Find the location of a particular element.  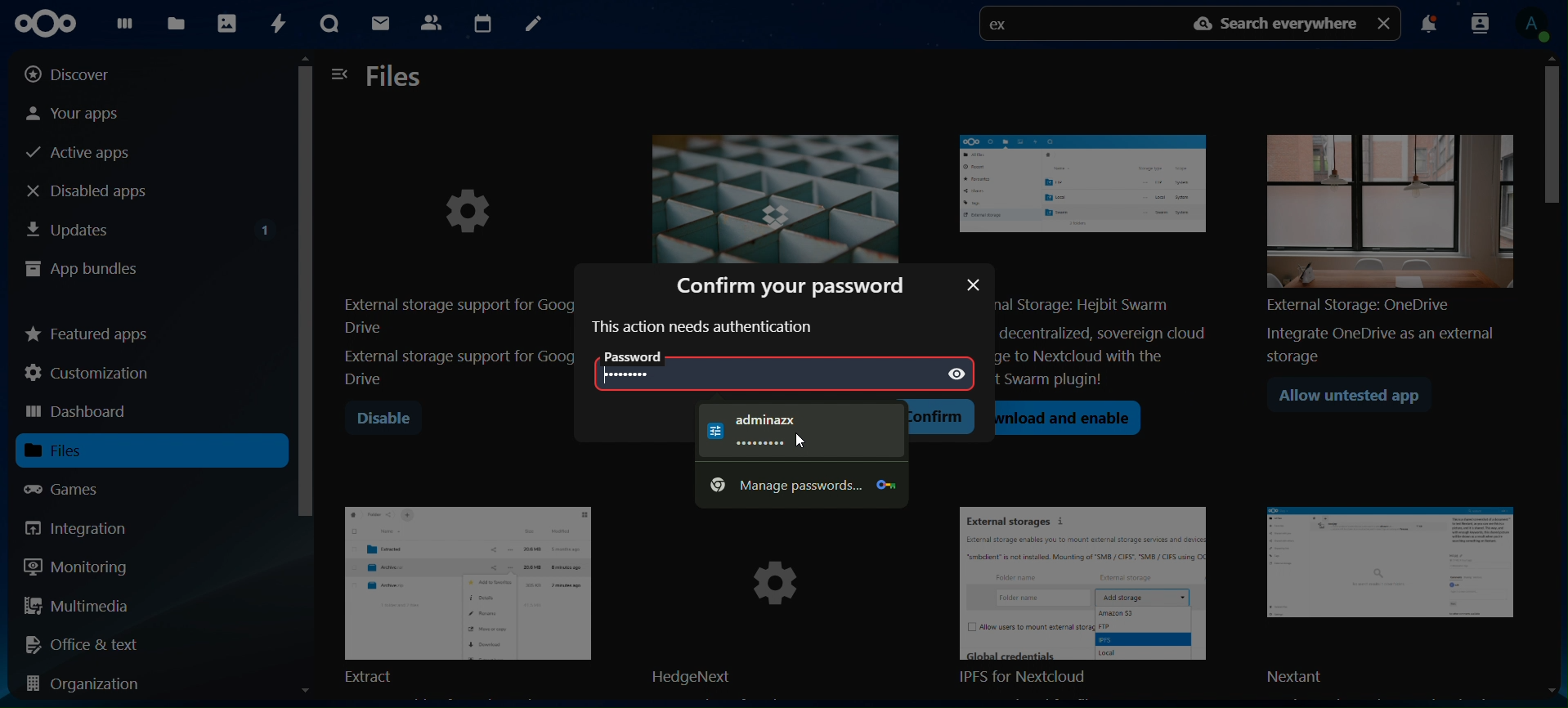

office & text is located at coordinates (87, 643).